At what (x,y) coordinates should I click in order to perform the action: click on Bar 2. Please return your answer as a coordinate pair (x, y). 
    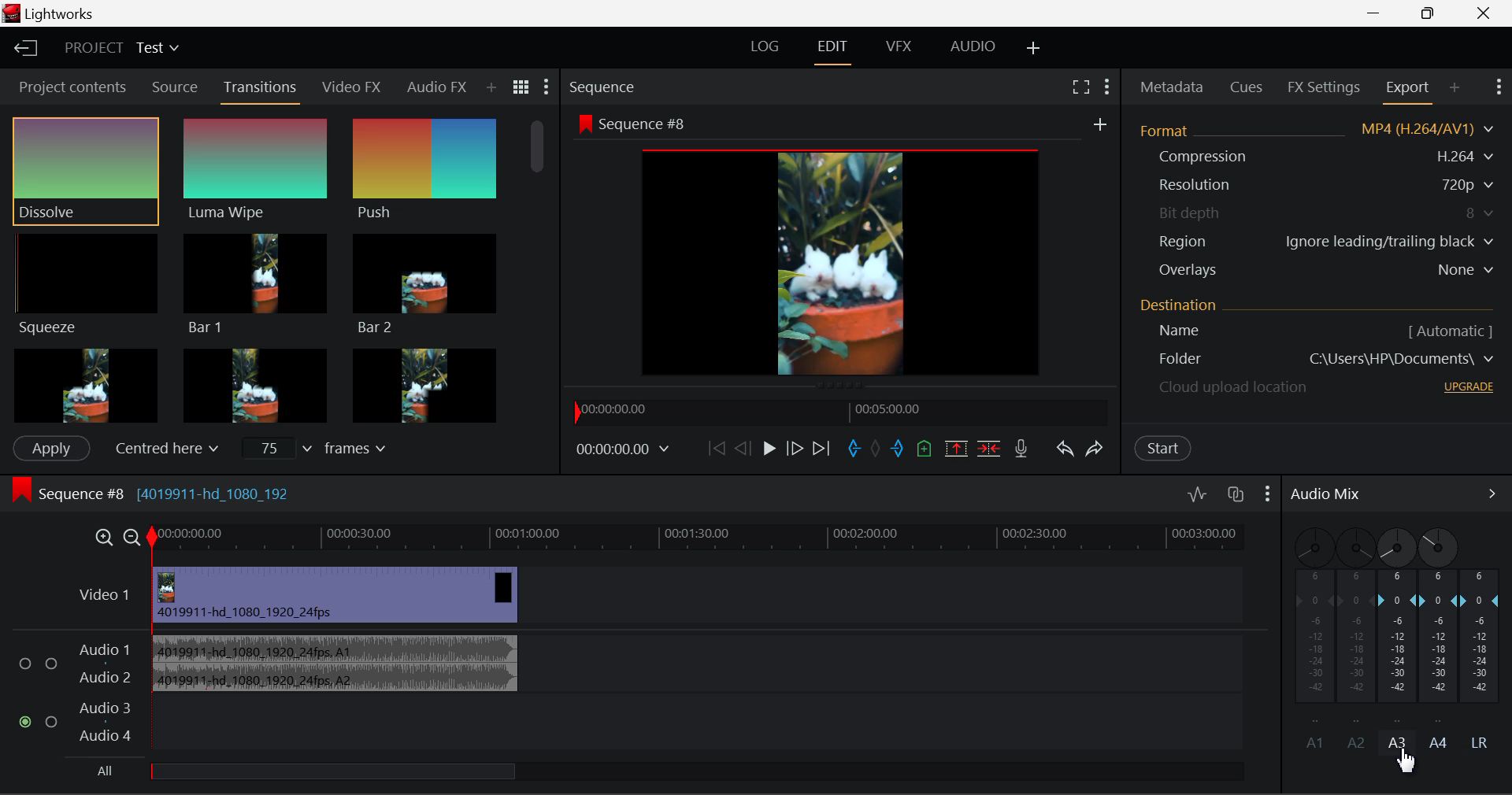
    Looking at the image, I should click on (427, 287).